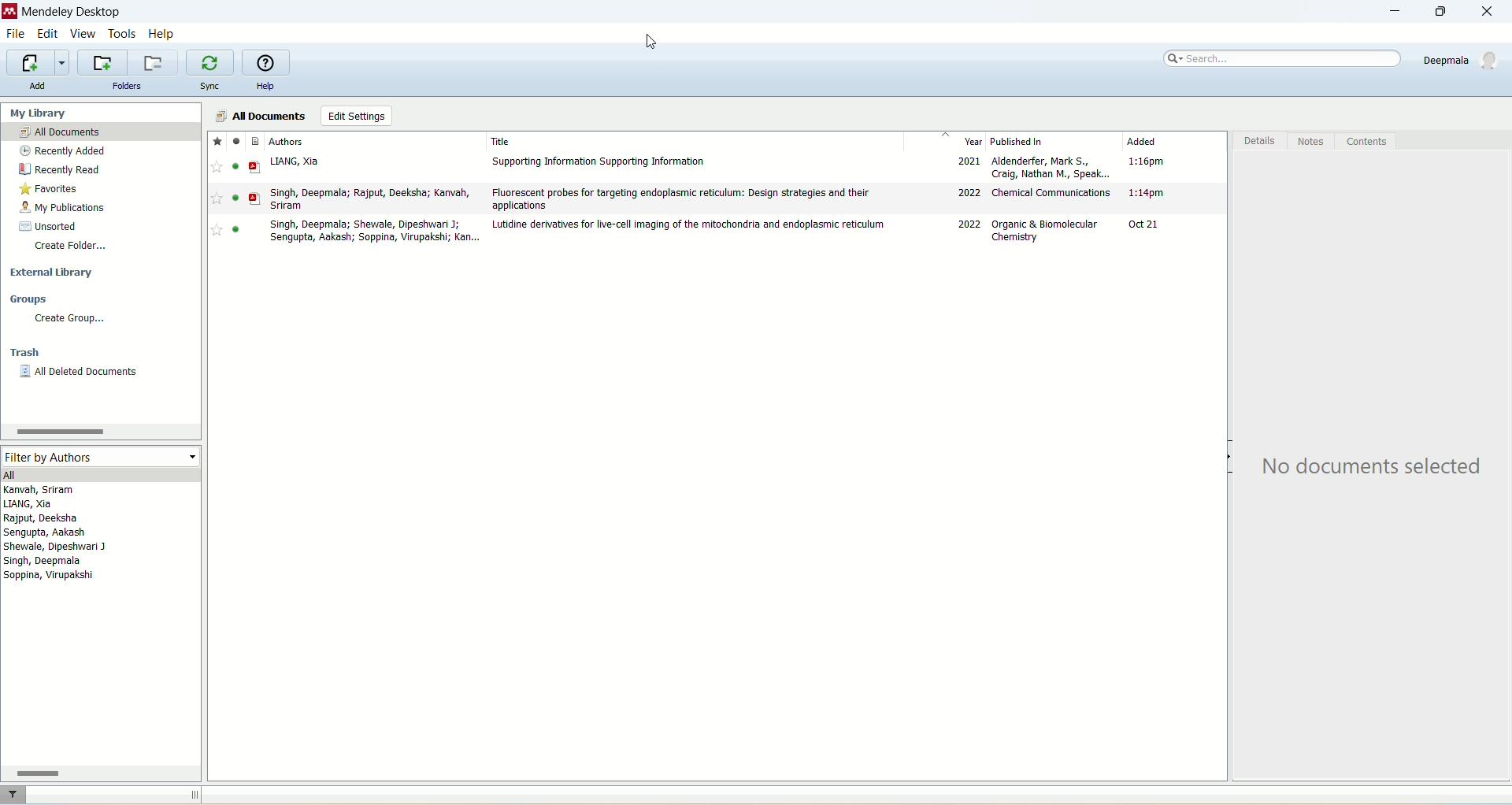 The image size is (1512, 805). What do you see at coordinates (100, 63) in the screenshot?
I see `create a new folder` at bounding box center [100, 63].